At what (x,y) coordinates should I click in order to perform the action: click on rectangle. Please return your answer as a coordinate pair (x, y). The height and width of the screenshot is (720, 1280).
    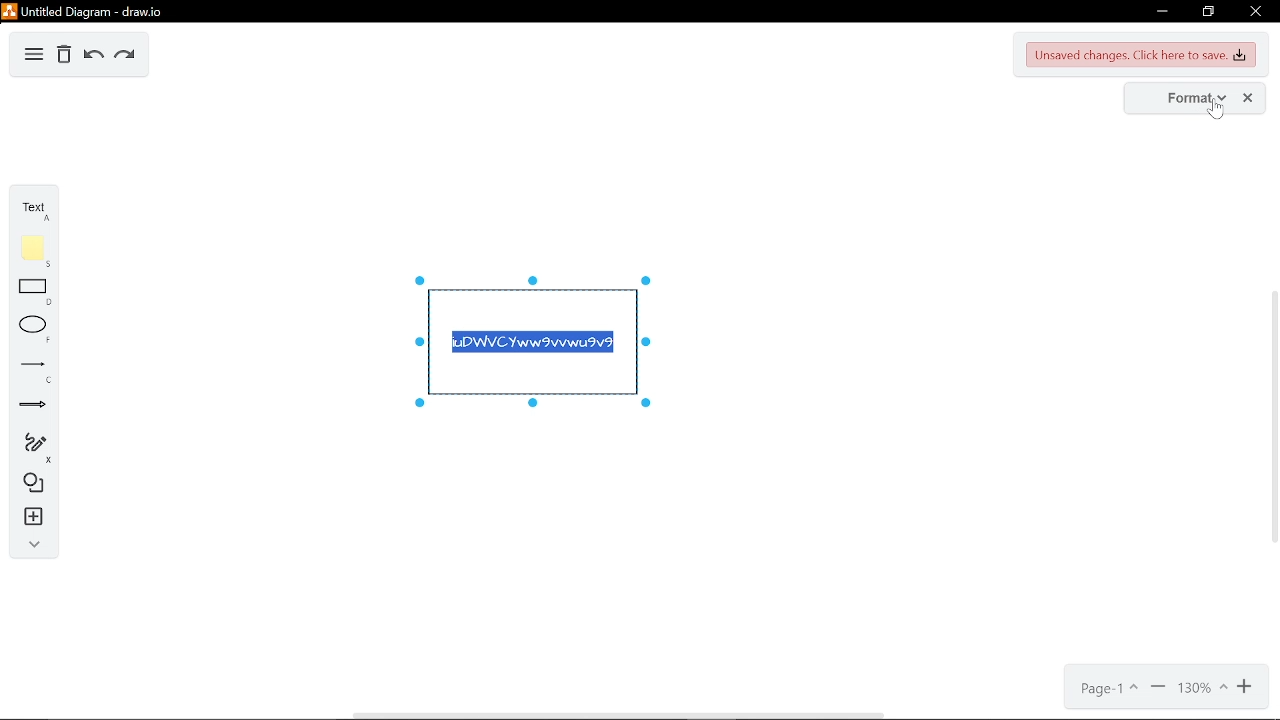
    Looking at the image, I should click on (29, 291).